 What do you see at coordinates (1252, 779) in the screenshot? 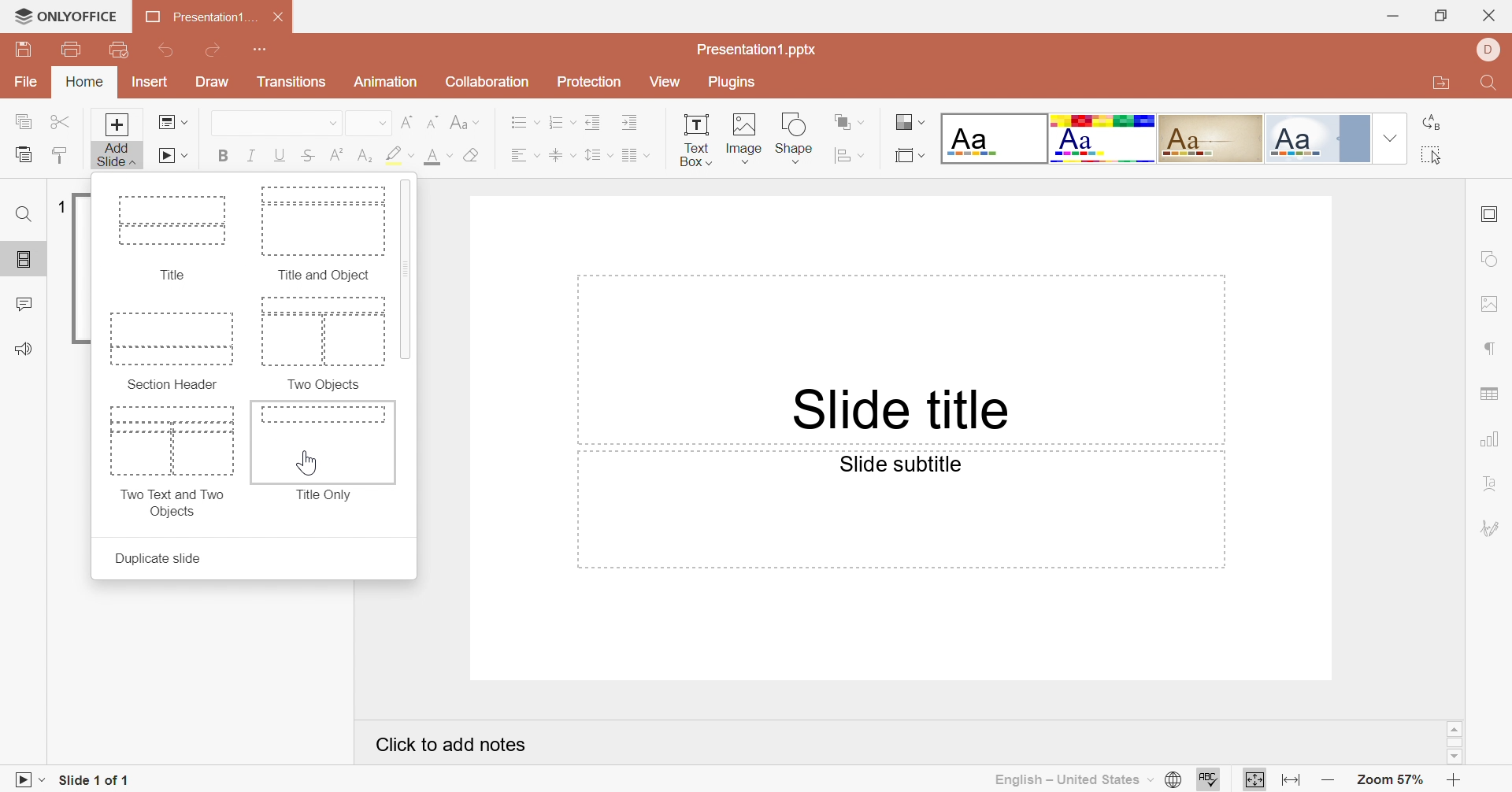
I see `Fit to Slide` at bounding box center [1252, 779].